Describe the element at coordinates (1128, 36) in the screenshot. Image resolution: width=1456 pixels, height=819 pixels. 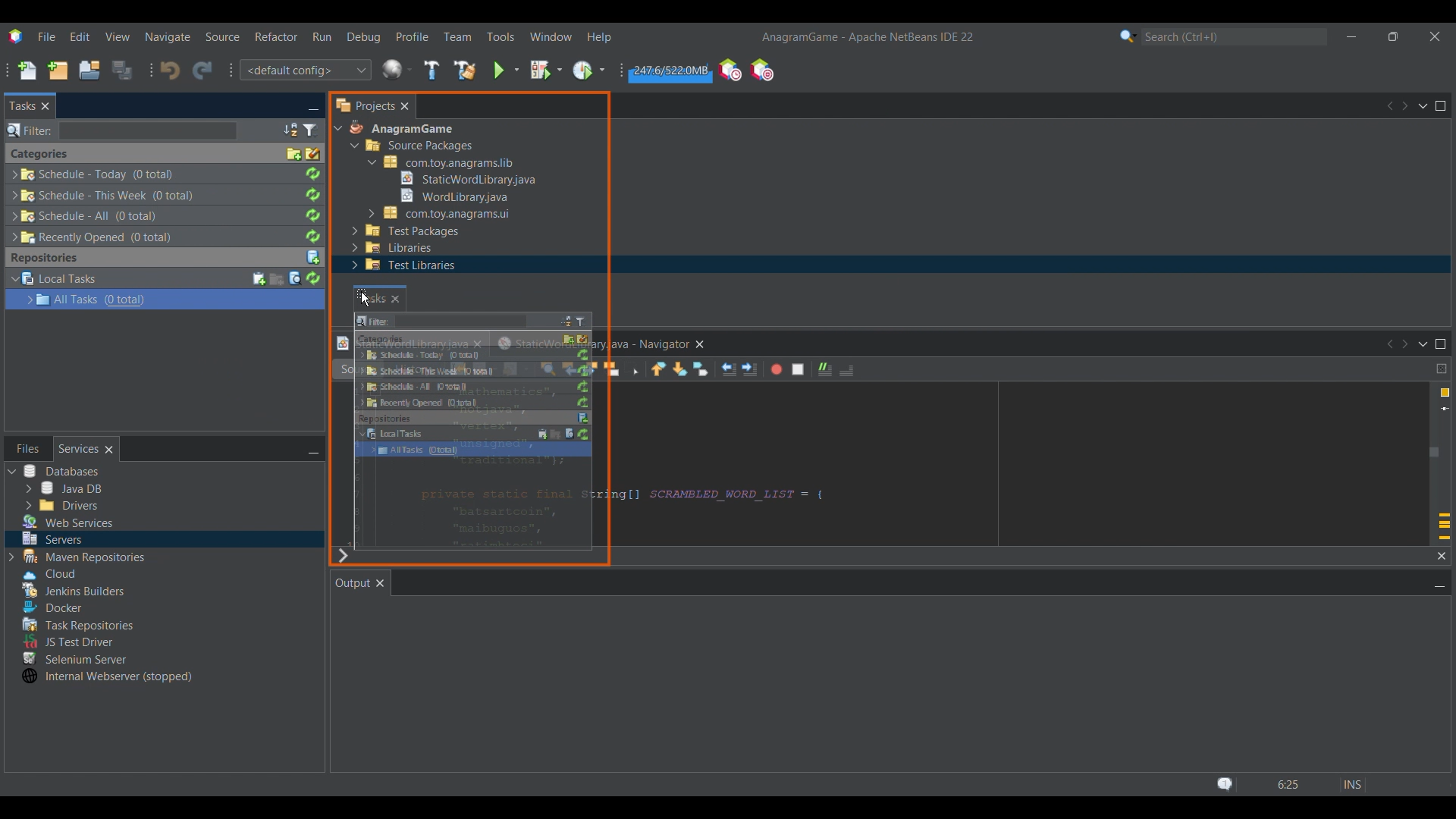
I see `Search category selection` at that location.